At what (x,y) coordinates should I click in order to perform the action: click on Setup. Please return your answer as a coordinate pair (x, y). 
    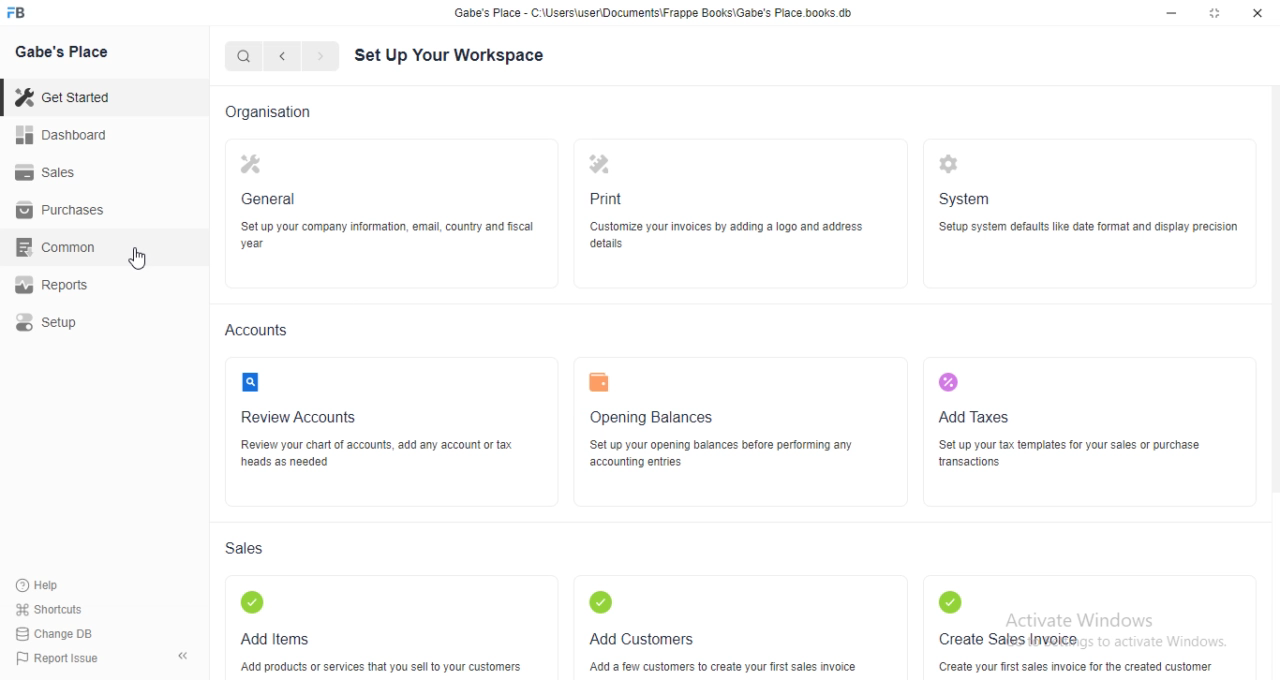
    Looking at the image, I should click on (51, 322).